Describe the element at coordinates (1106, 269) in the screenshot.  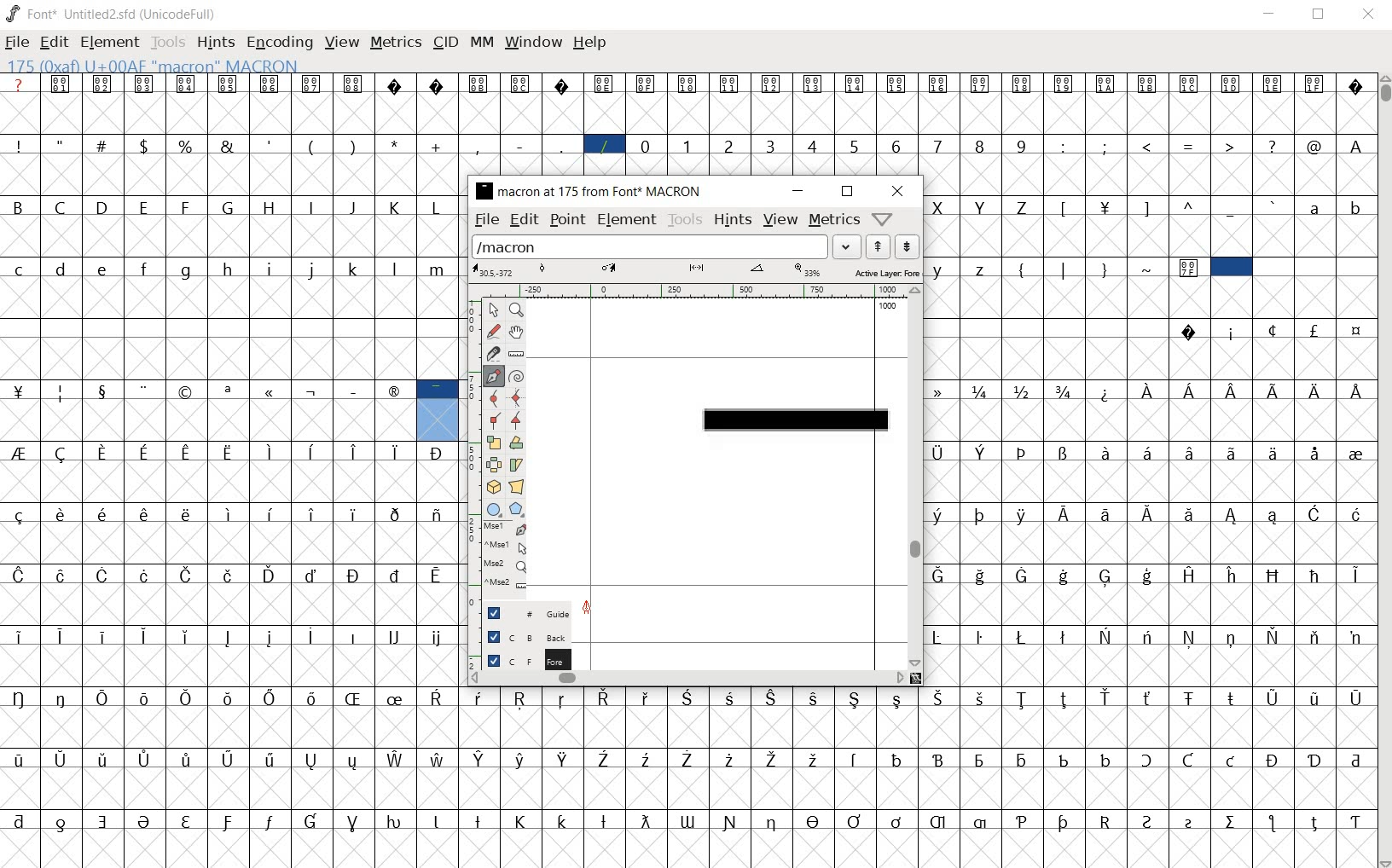
I see `}` at that location.